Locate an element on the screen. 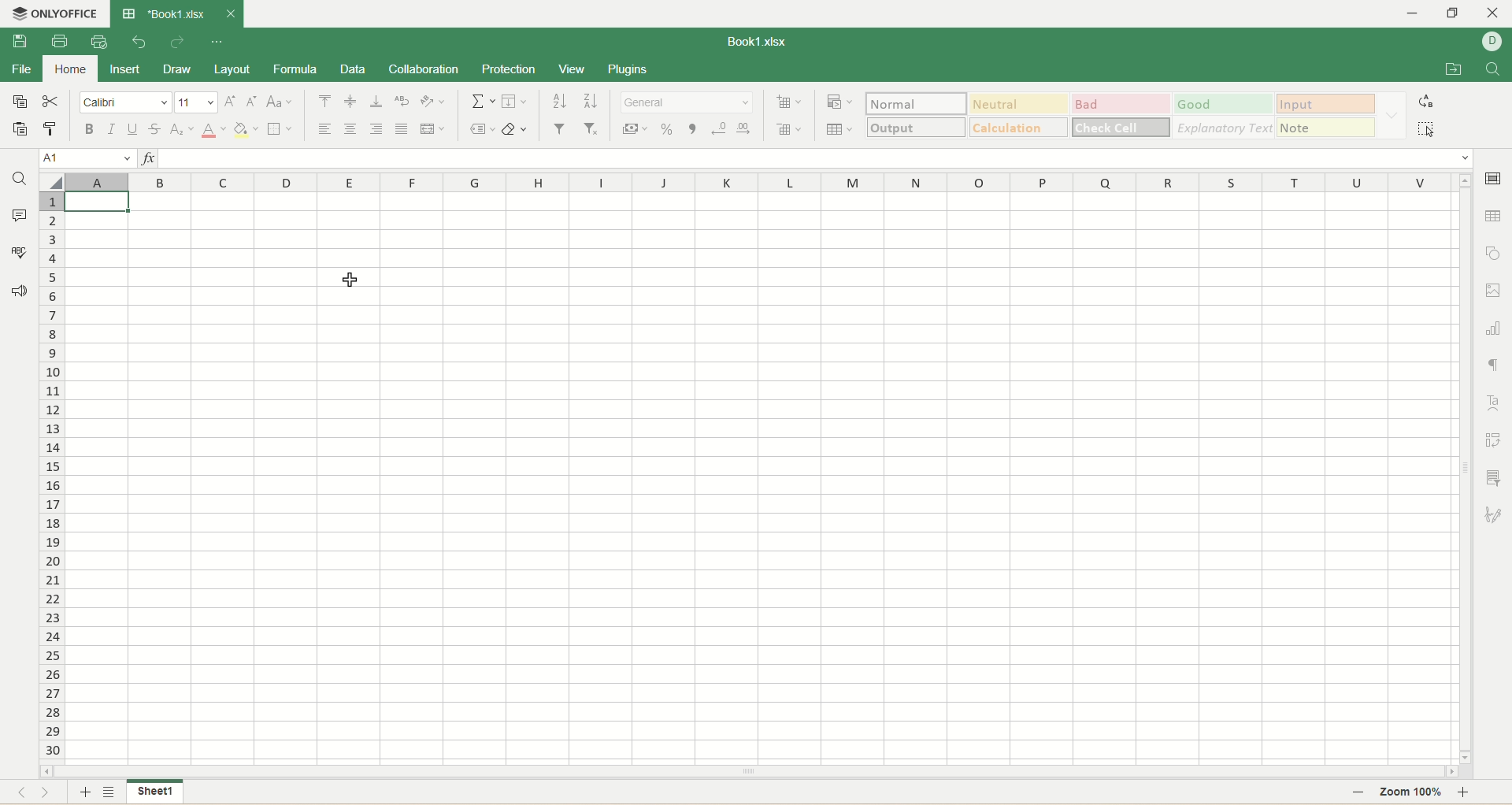 The height and width of the screenshot is (805, 1512). draw is located at coordinates (182, 70).